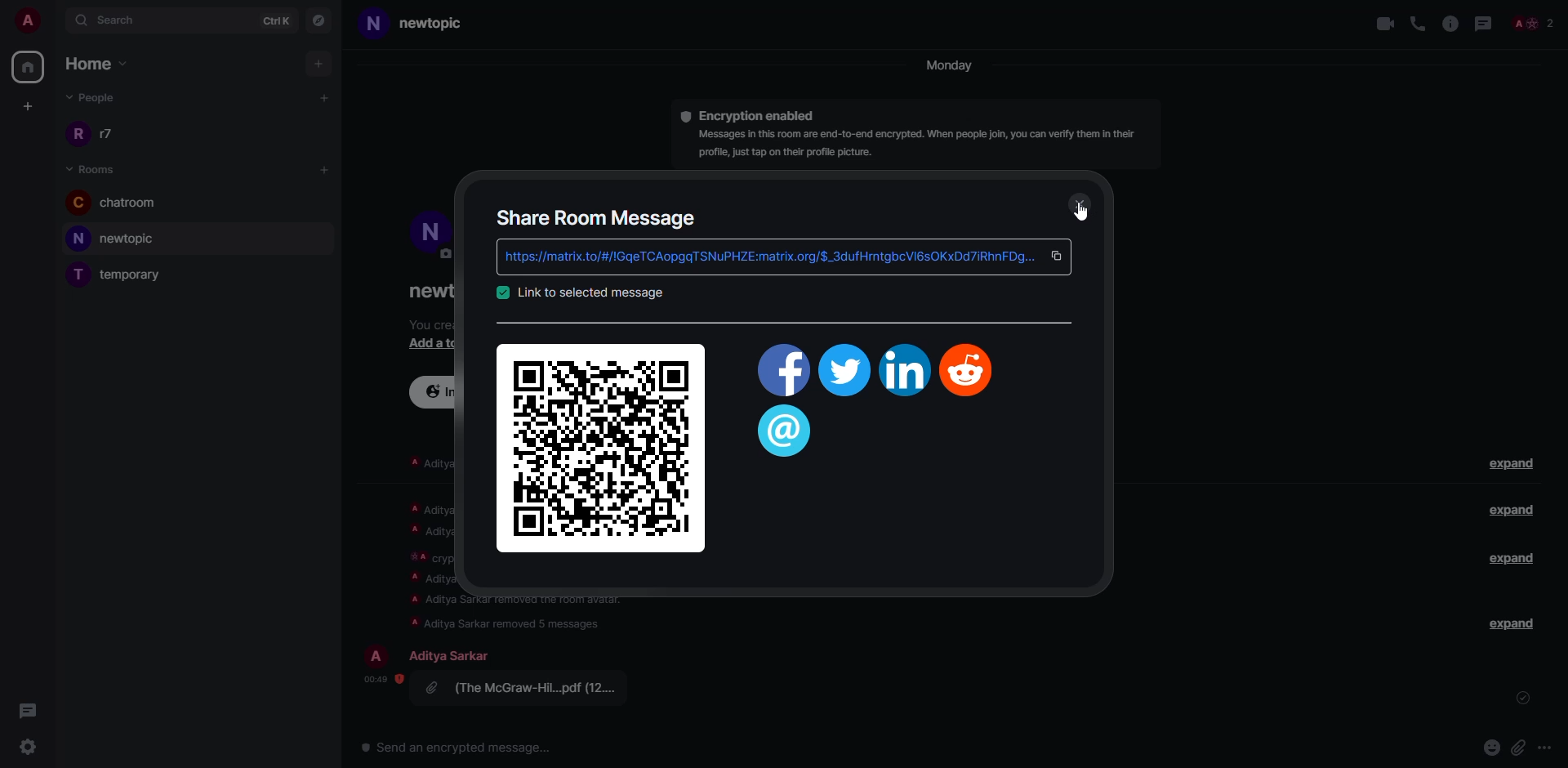 This screenshot has width=1568, height=768. I want to click on encryption enabled, so click(761, 114).